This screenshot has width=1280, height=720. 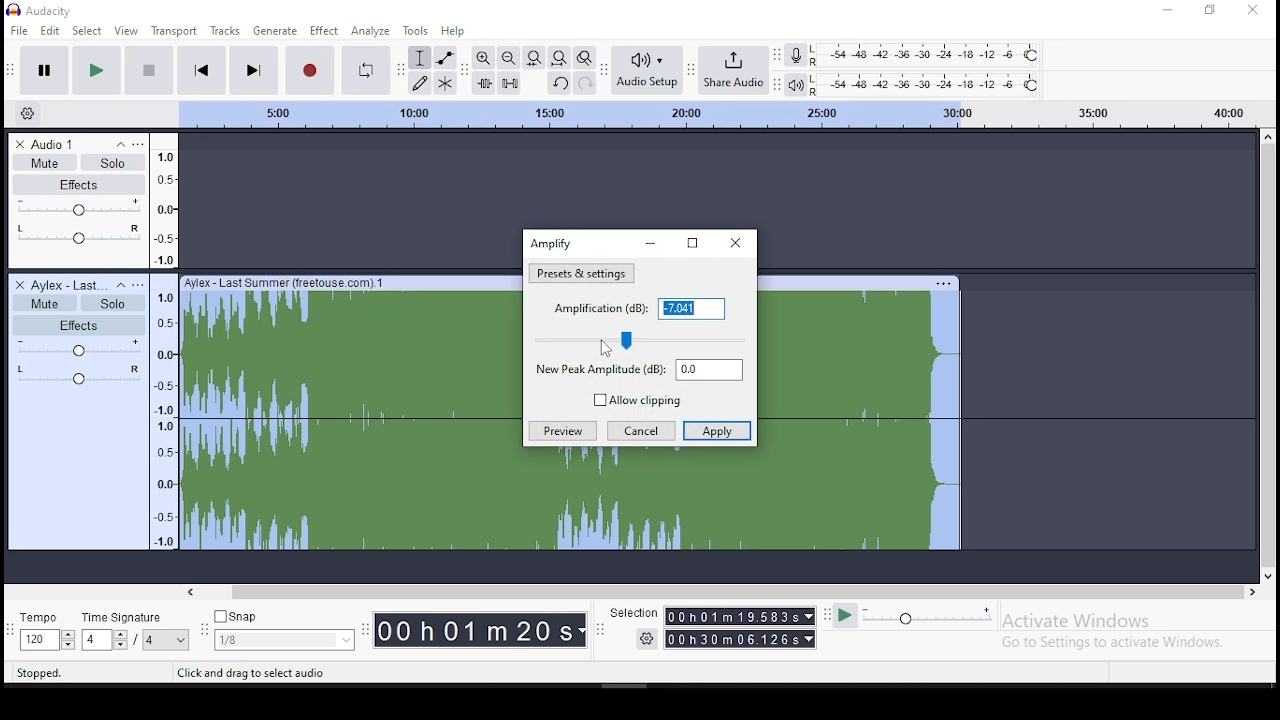 What do you see at coordinates (1266, 353) in the screenshot?
I see `scroll bar` at bounding box center [1266, 353].